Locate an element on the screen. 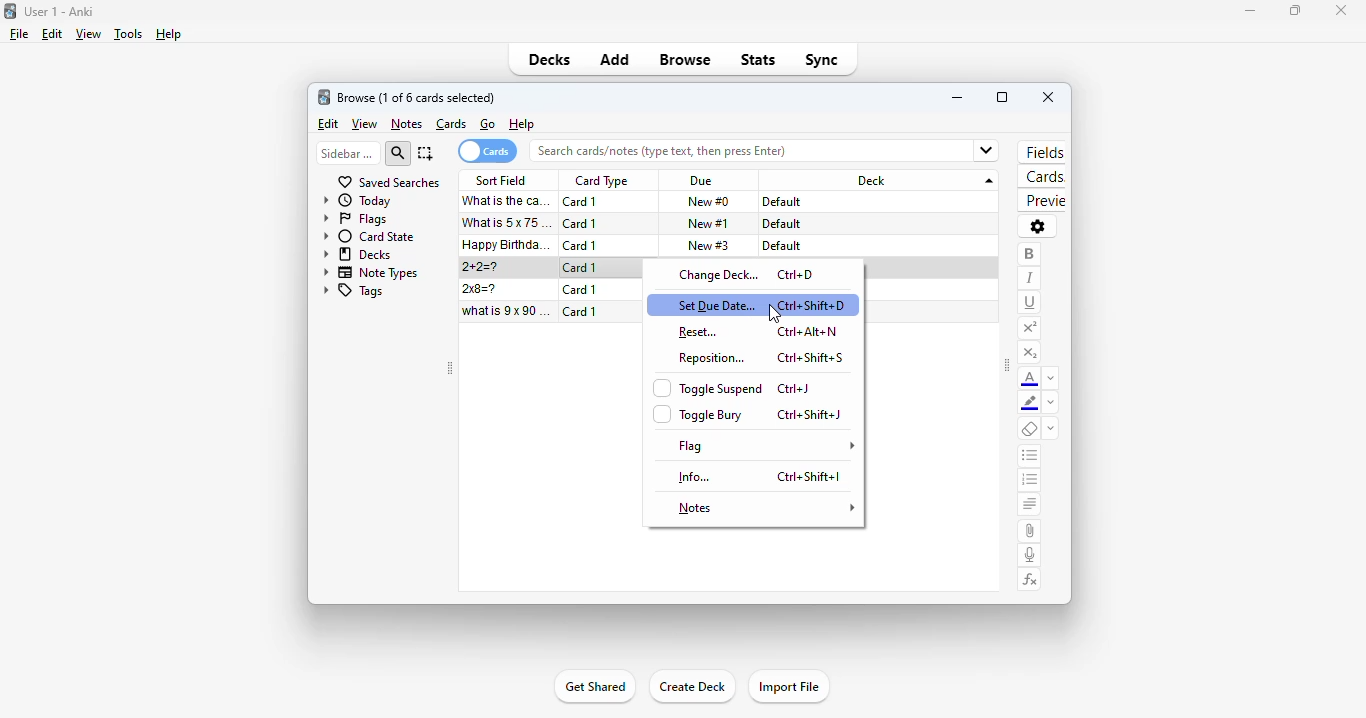 The height and width of the screenshot is (718, 1366). underline is located at coordinates (1030, 302).